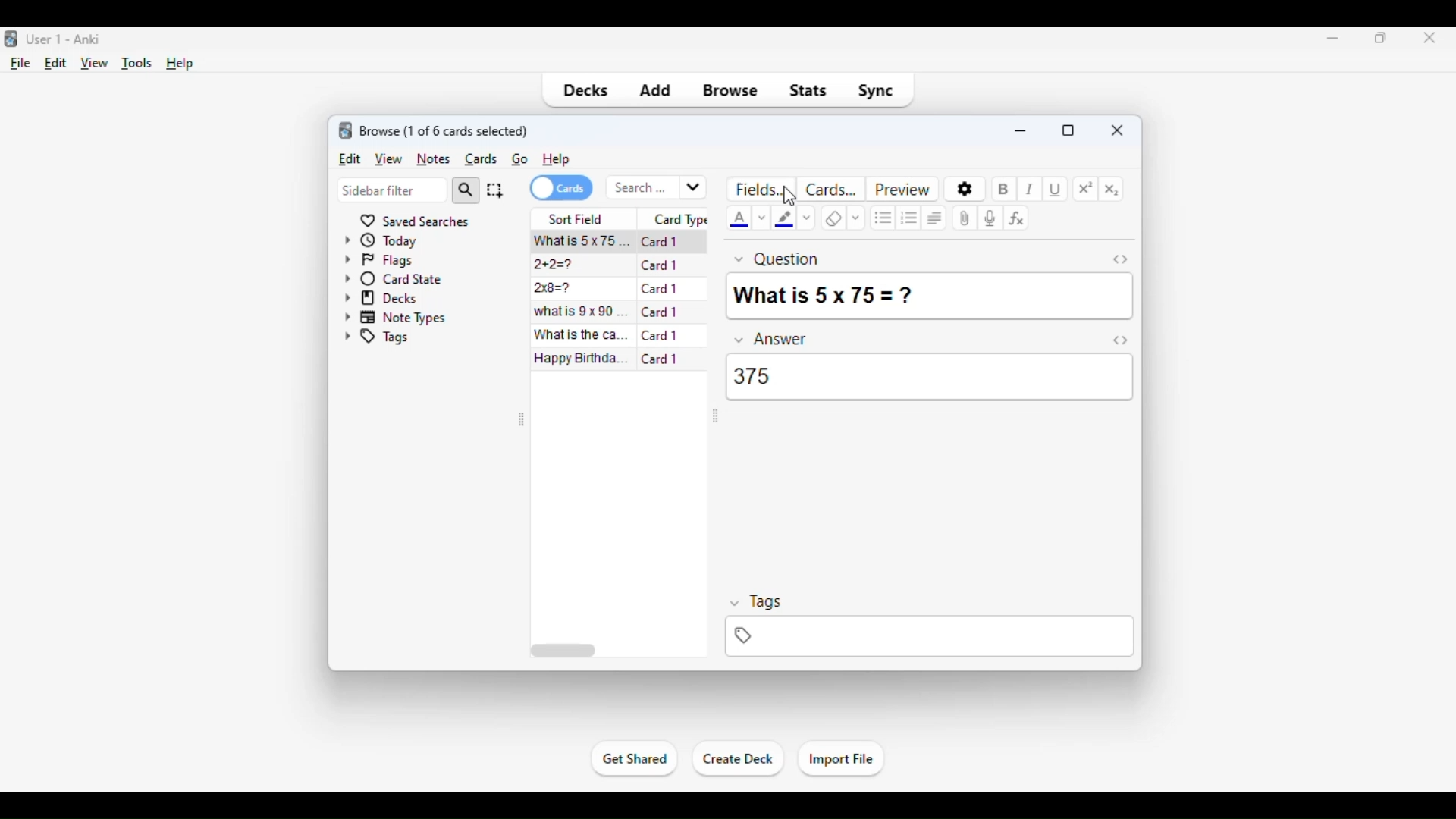 The image size is (1456, 819). What do you see at coordinates (21, 64) in the screenshot?
I see `file` at bounding box center [21, 64].